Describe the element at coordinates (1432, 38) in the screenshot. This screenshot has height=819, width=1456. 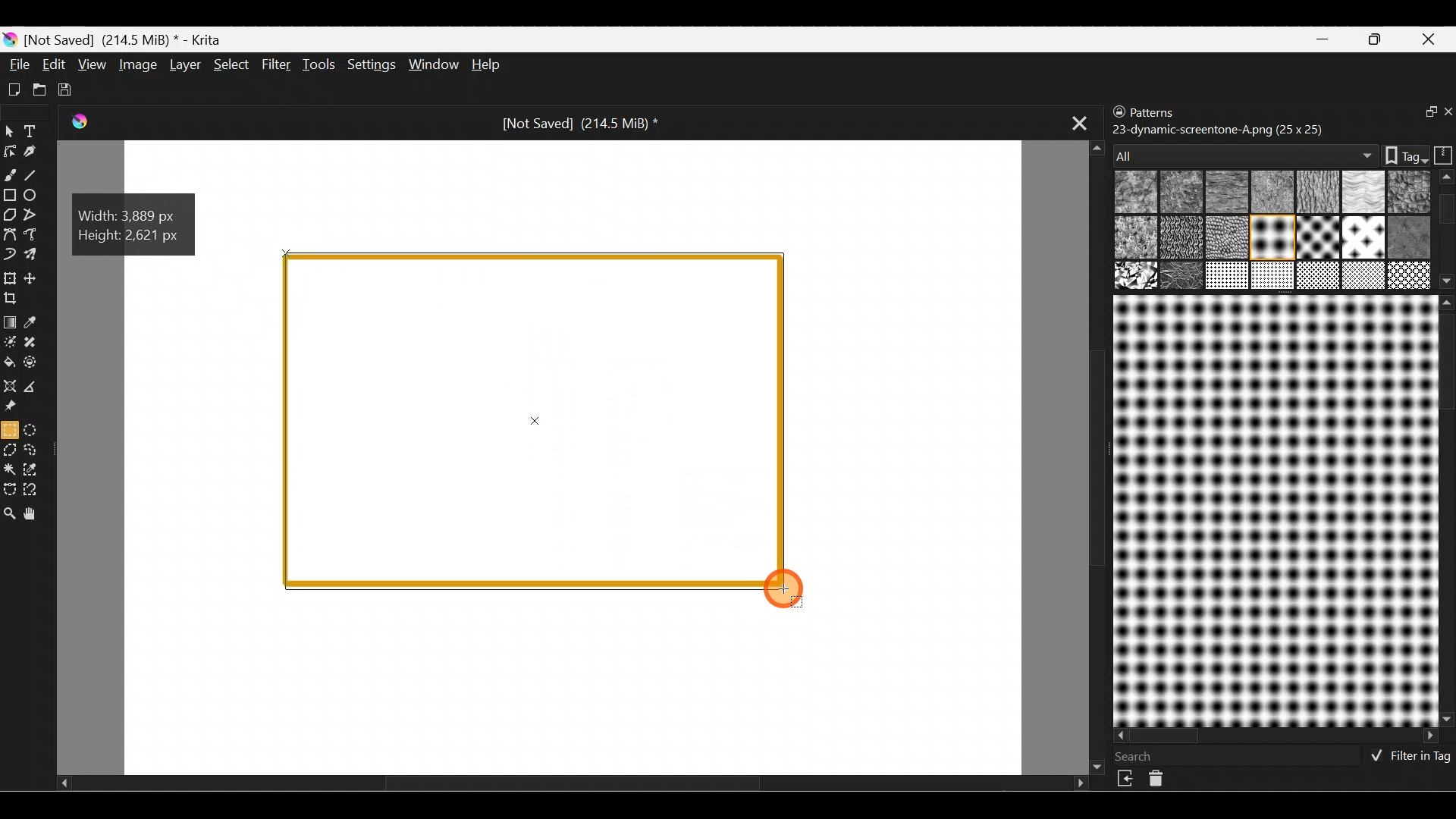
I see `Close` at that location.